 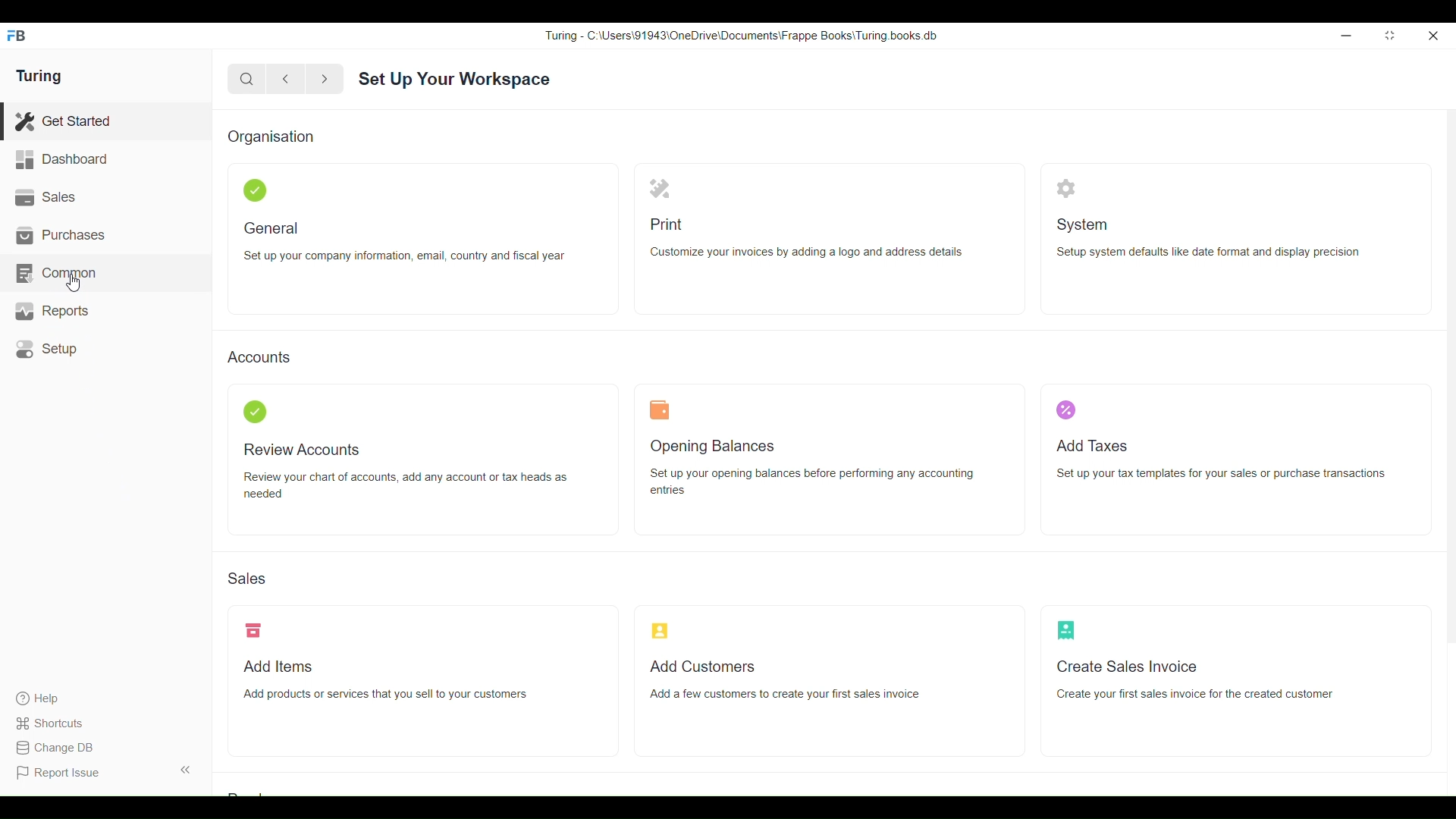 I want to click on Add Customers Add a few customers to create your first sales invoice, so click(x=786, y=680).